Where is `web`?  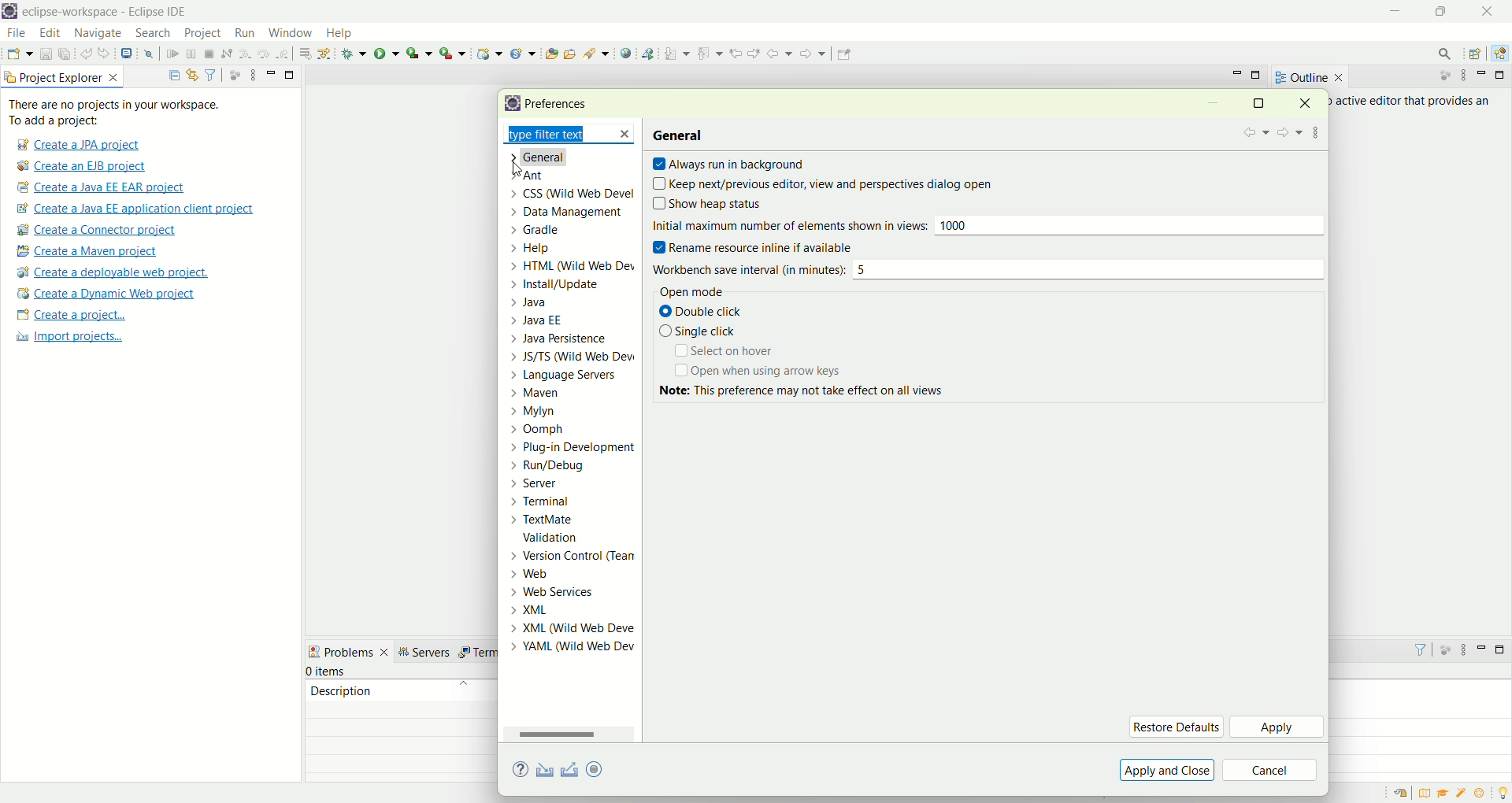 web is located at coordinates (571, 575).